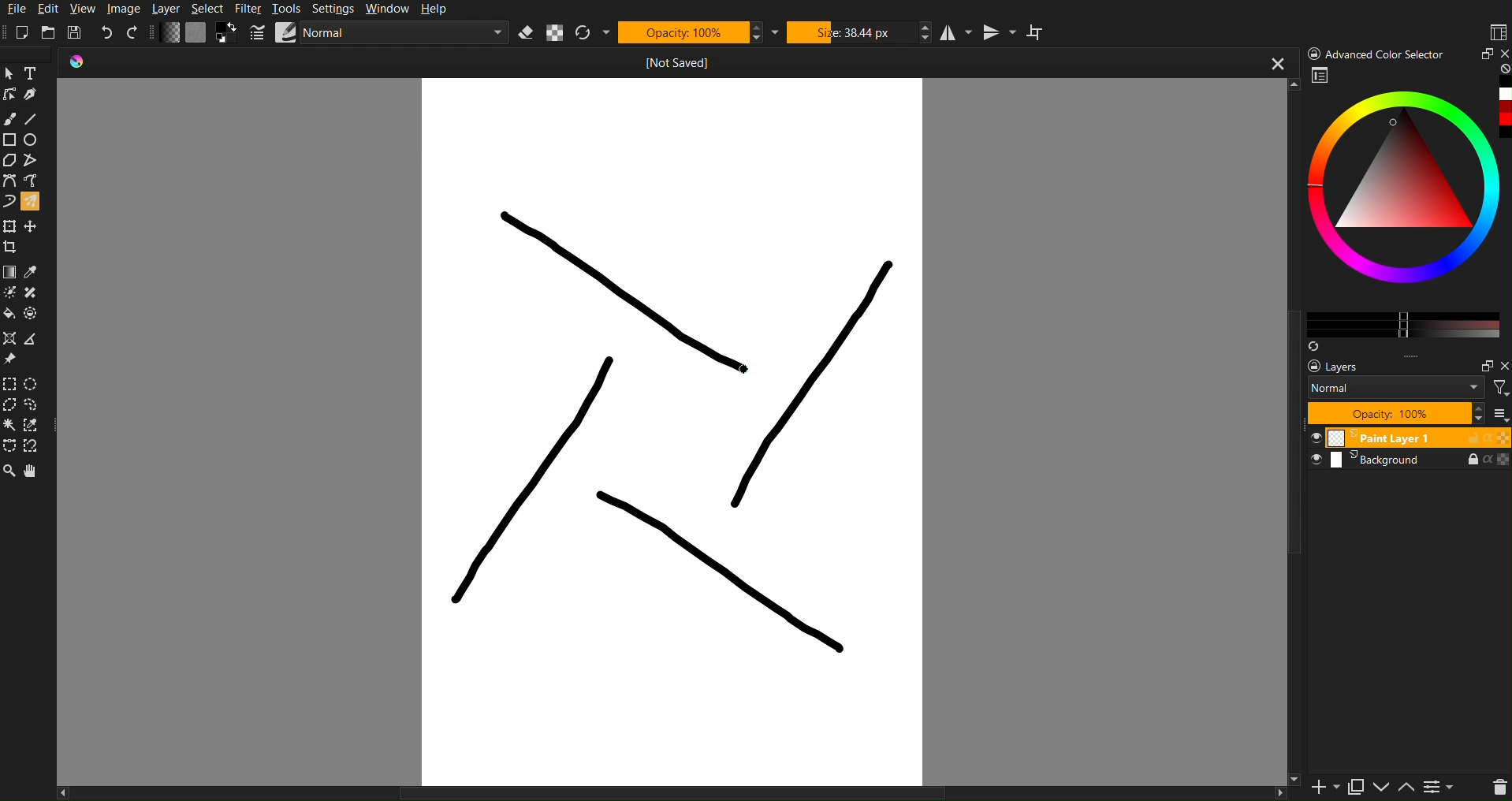 This screenshot has height=801, width=1512. What do you see at coordinates (35, 339) in the screenshot?
I see `Measure Tool` at bounding box center [35, 339].